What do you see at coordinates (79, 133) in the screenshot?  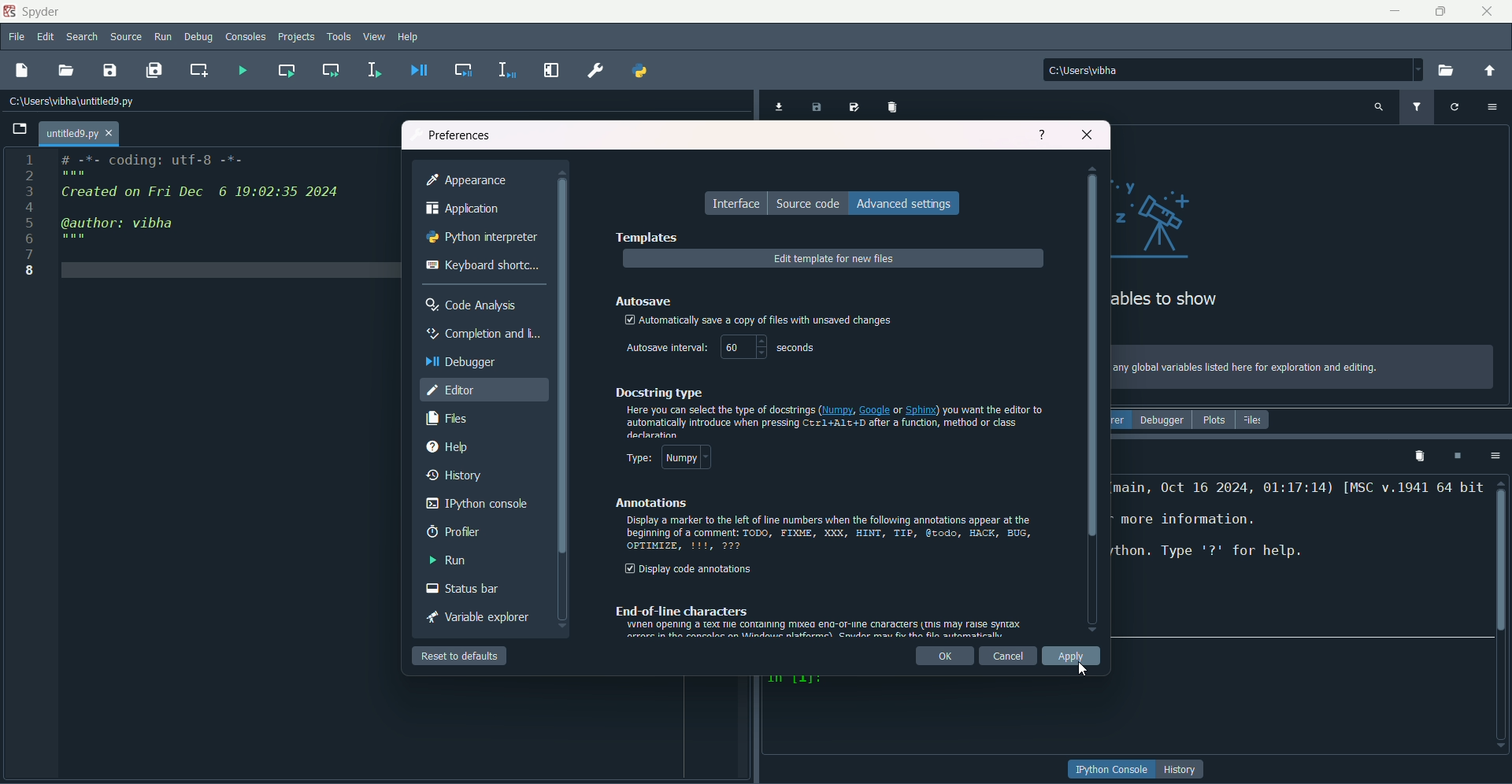 I see `tab name` at bounding box center [79, 133].